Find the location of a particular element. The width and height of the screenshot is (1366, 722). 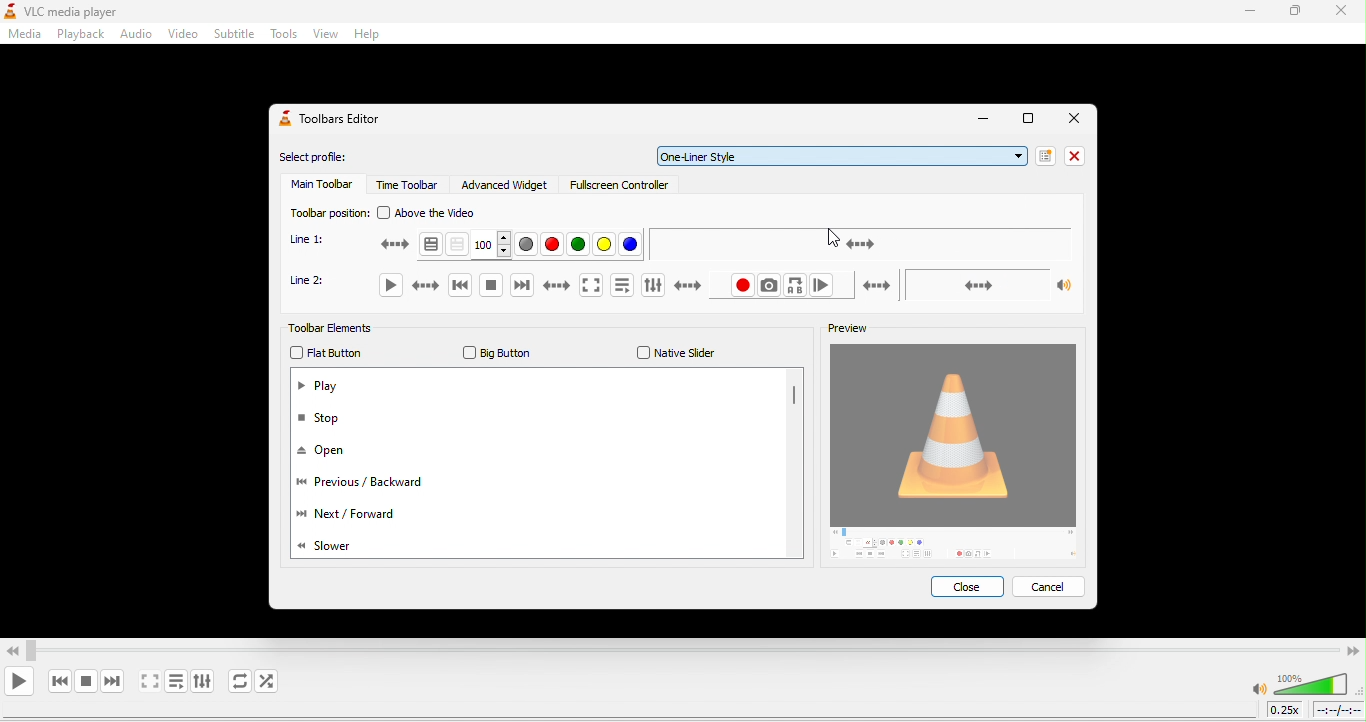

video is located at coordinates (184, 34).